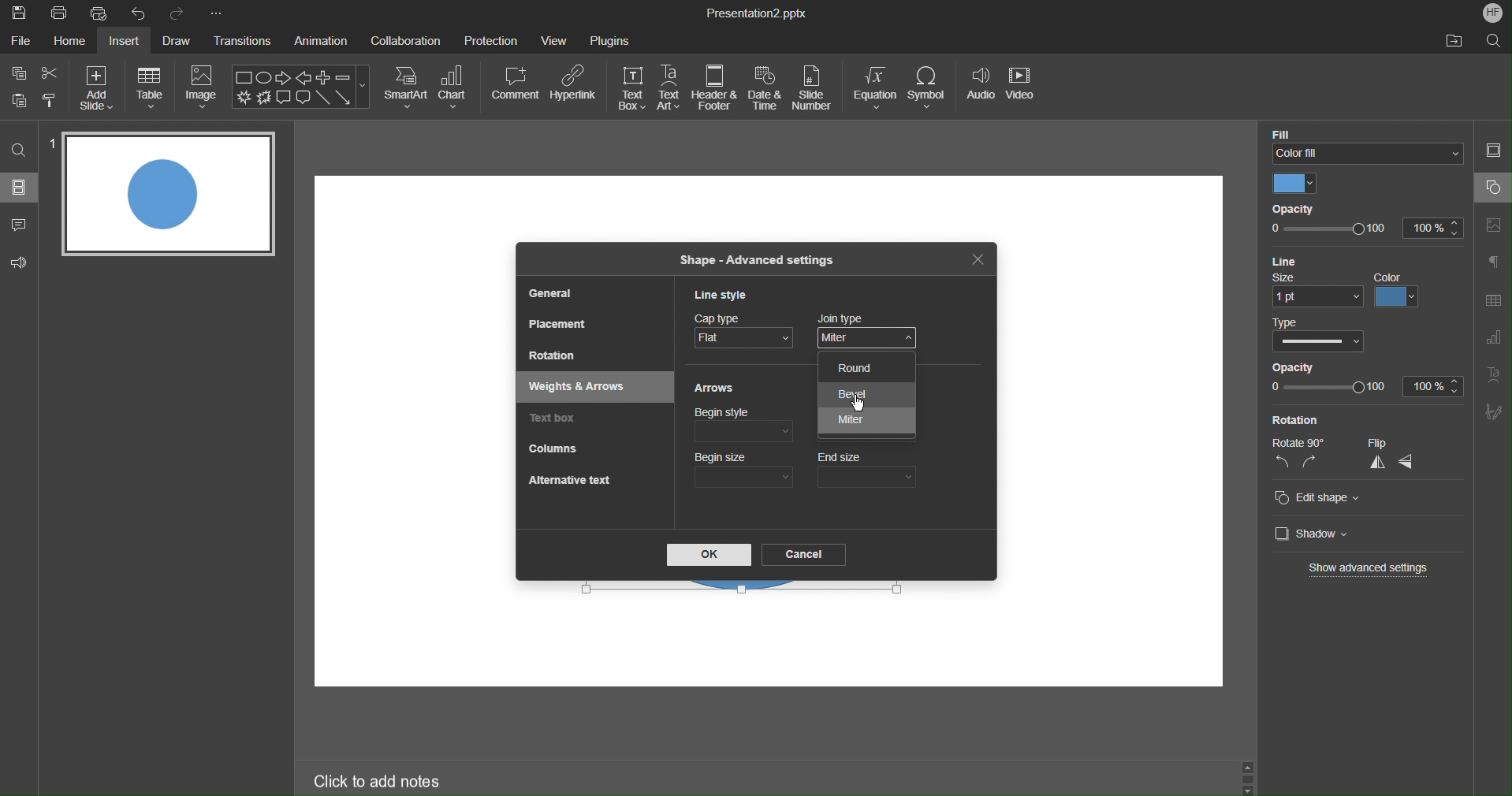  I want to click on More, so click(216, 13).